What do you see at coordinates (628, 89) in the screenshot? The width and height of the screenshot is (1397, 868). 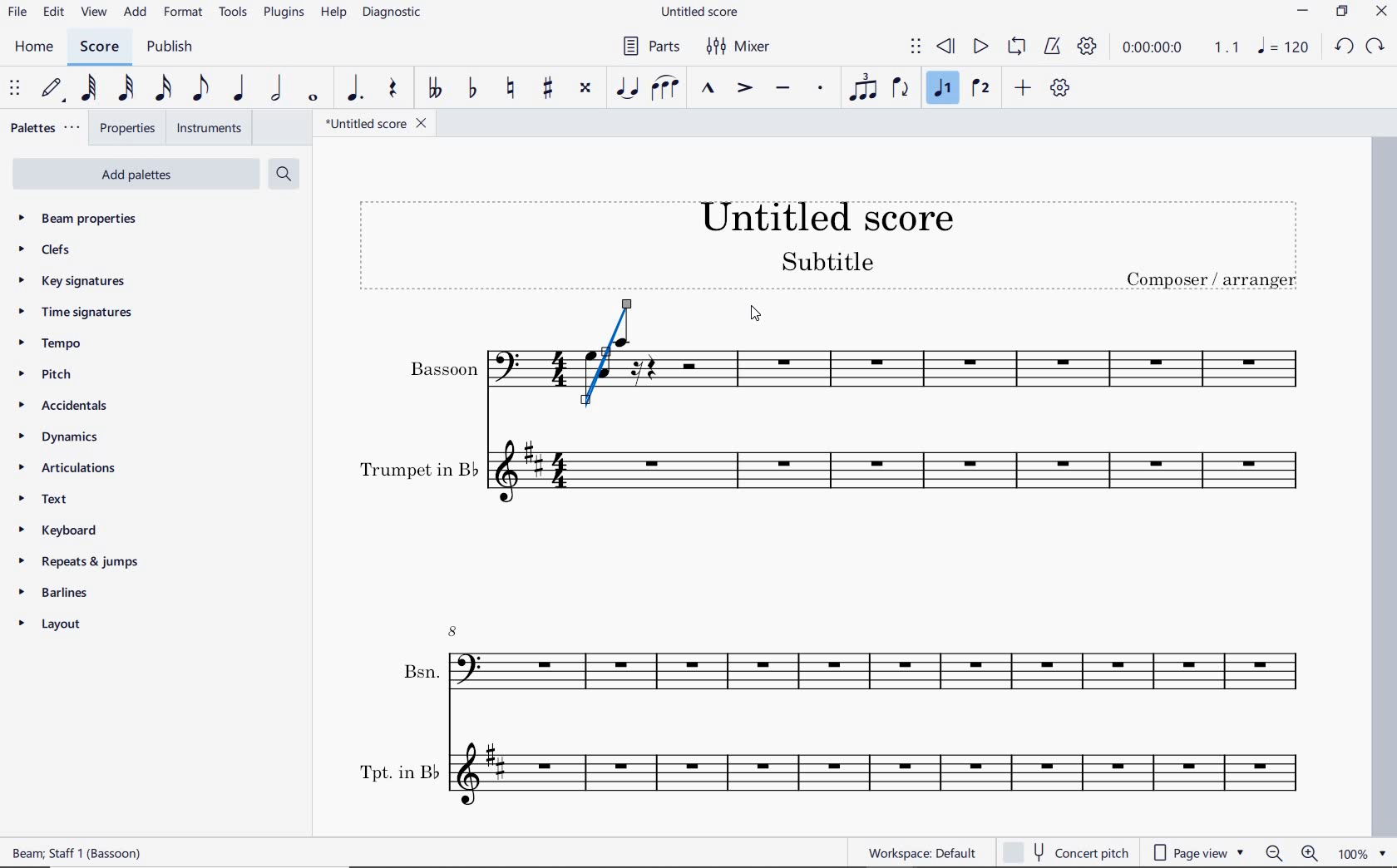 I see `tie` at bounding box center [628, 89].